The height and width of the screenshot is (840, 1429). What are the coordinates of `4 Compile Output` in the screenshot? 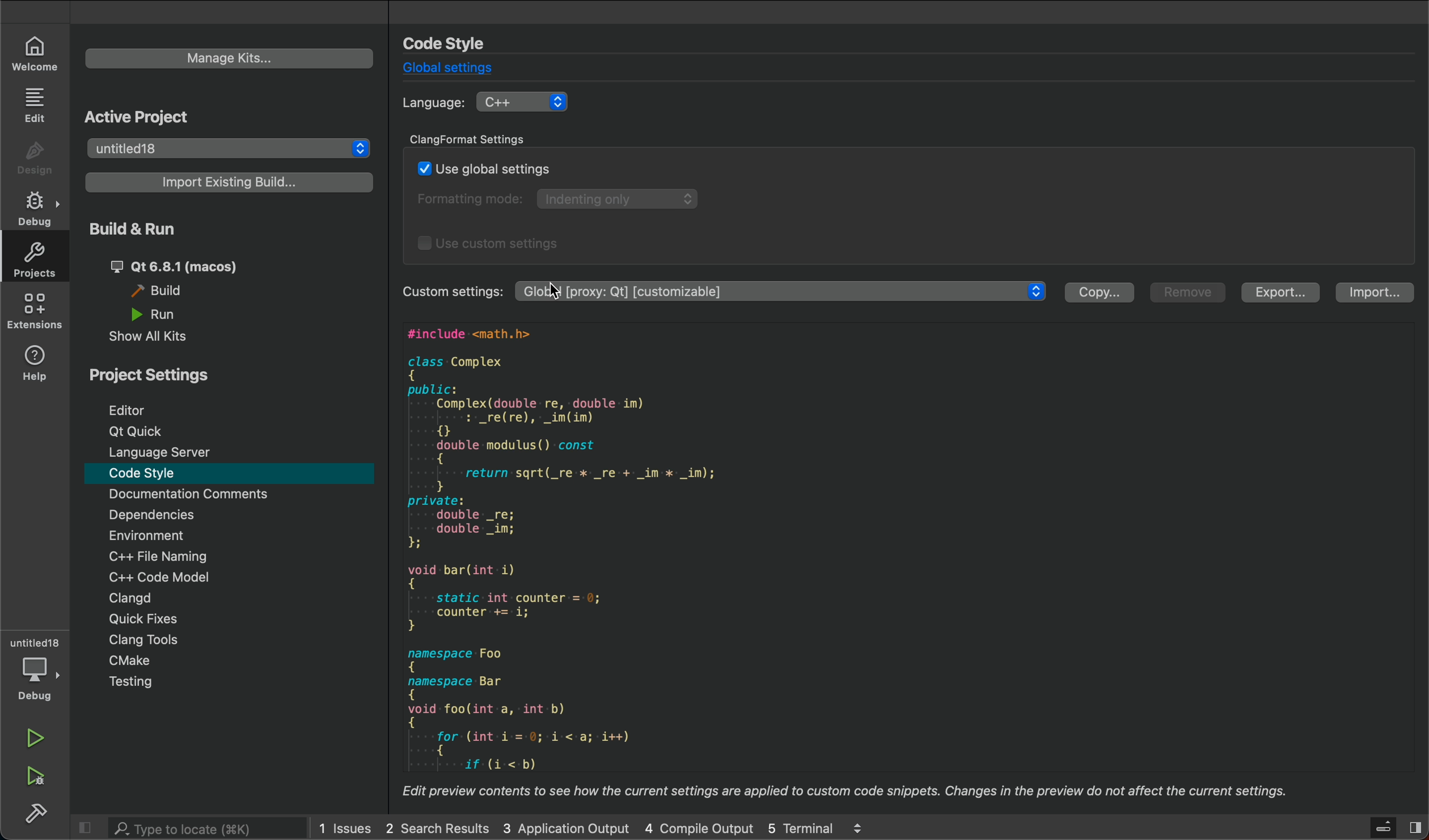 It's located at (697, 826).